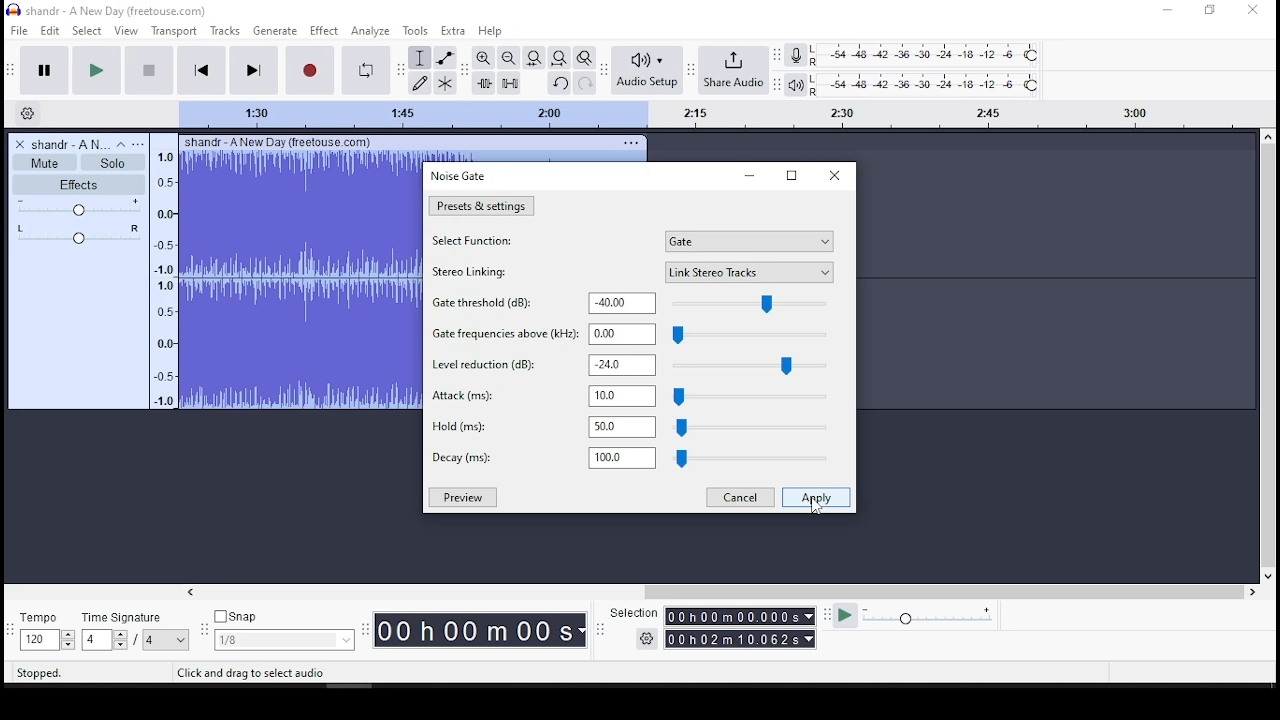 Image resolution: width=1280 pixels, height=720 pixels. I want to click on recording level, so click(926, 55).